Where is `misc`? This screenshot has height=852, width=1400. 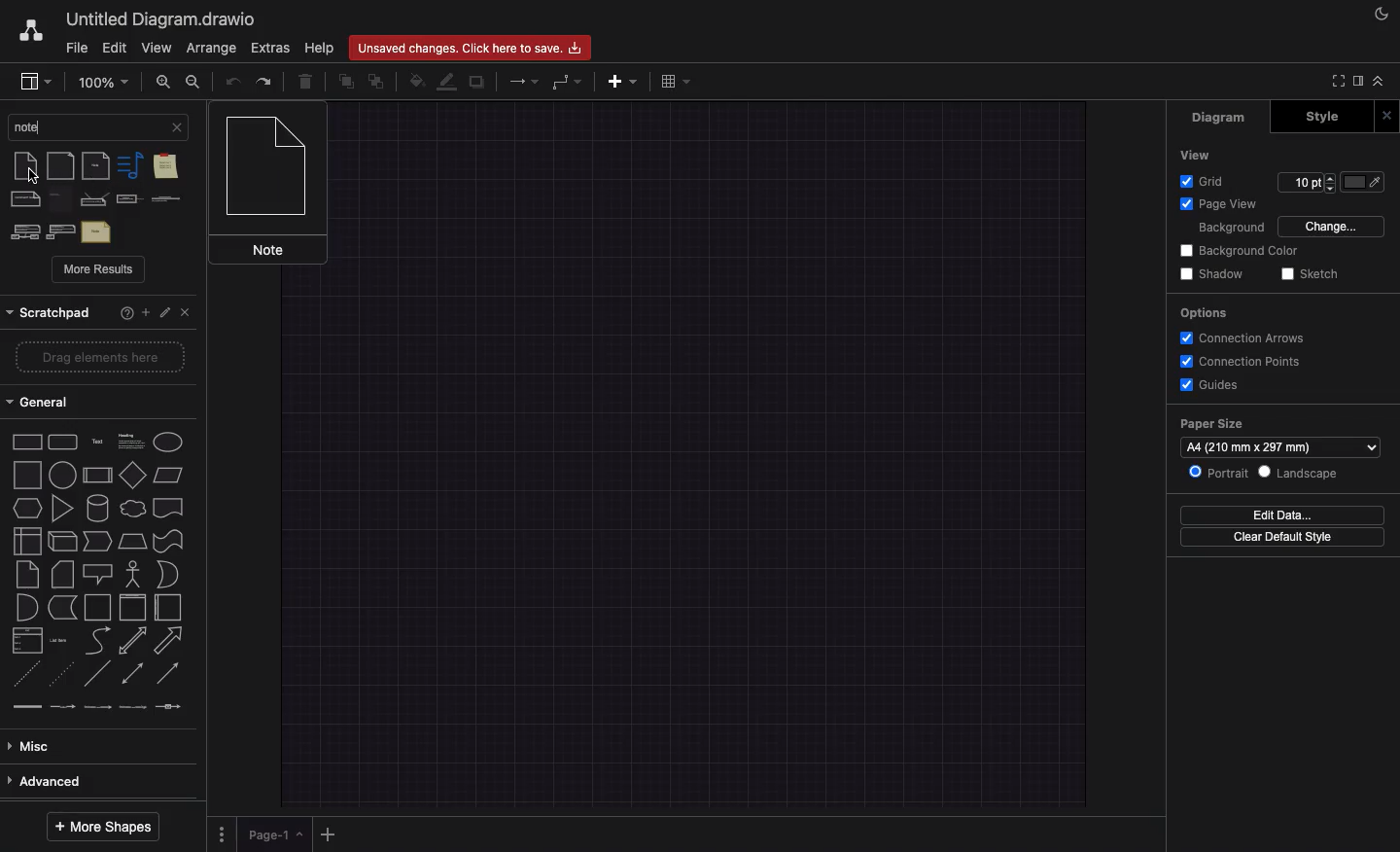
misc is located at coordinates (91, 745).